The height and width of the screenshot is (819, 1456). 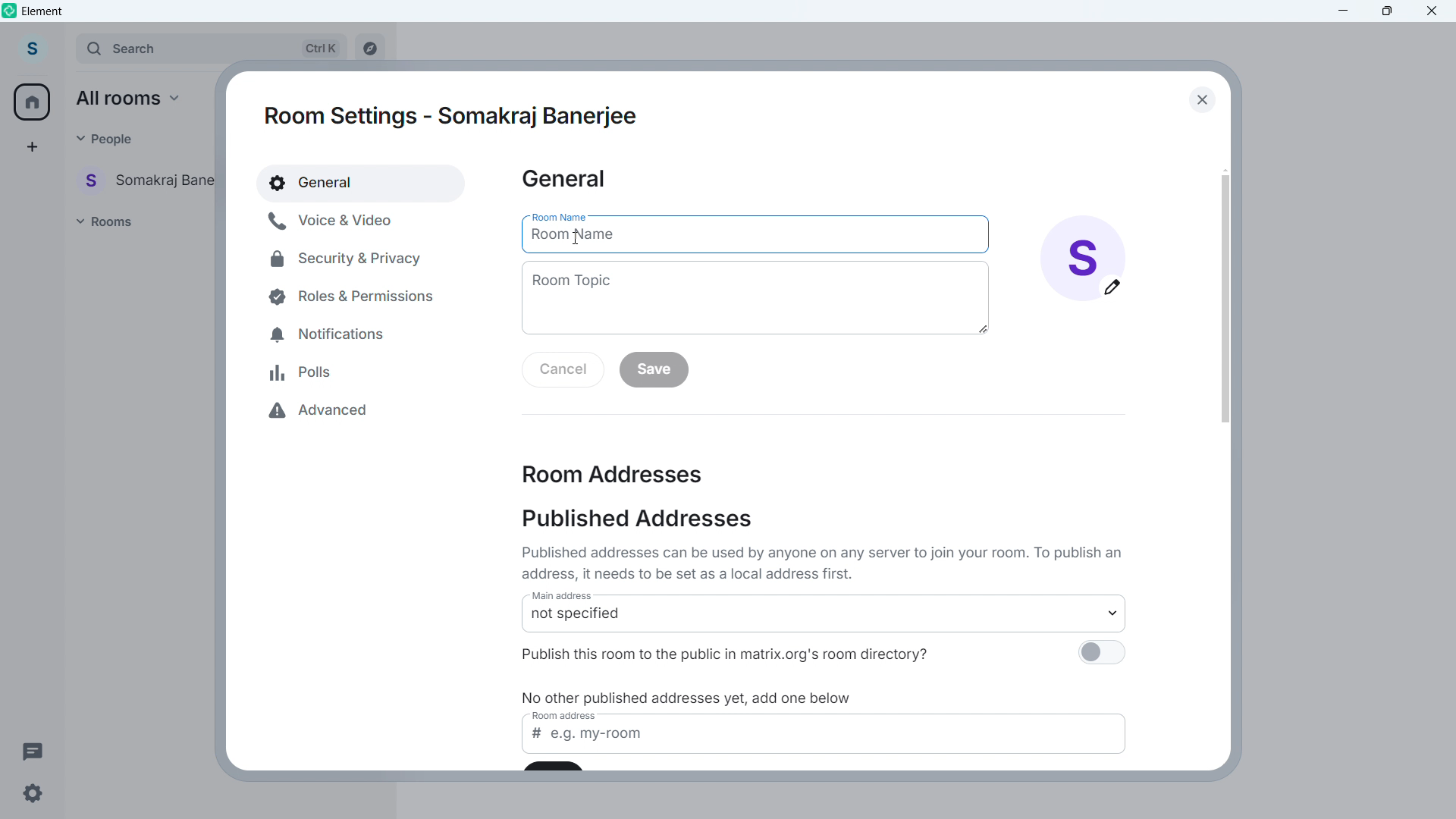 What do you see at coordinates (753, 240) in the screenshot?
I see `Add room name ` at bounding box center [753, 240].